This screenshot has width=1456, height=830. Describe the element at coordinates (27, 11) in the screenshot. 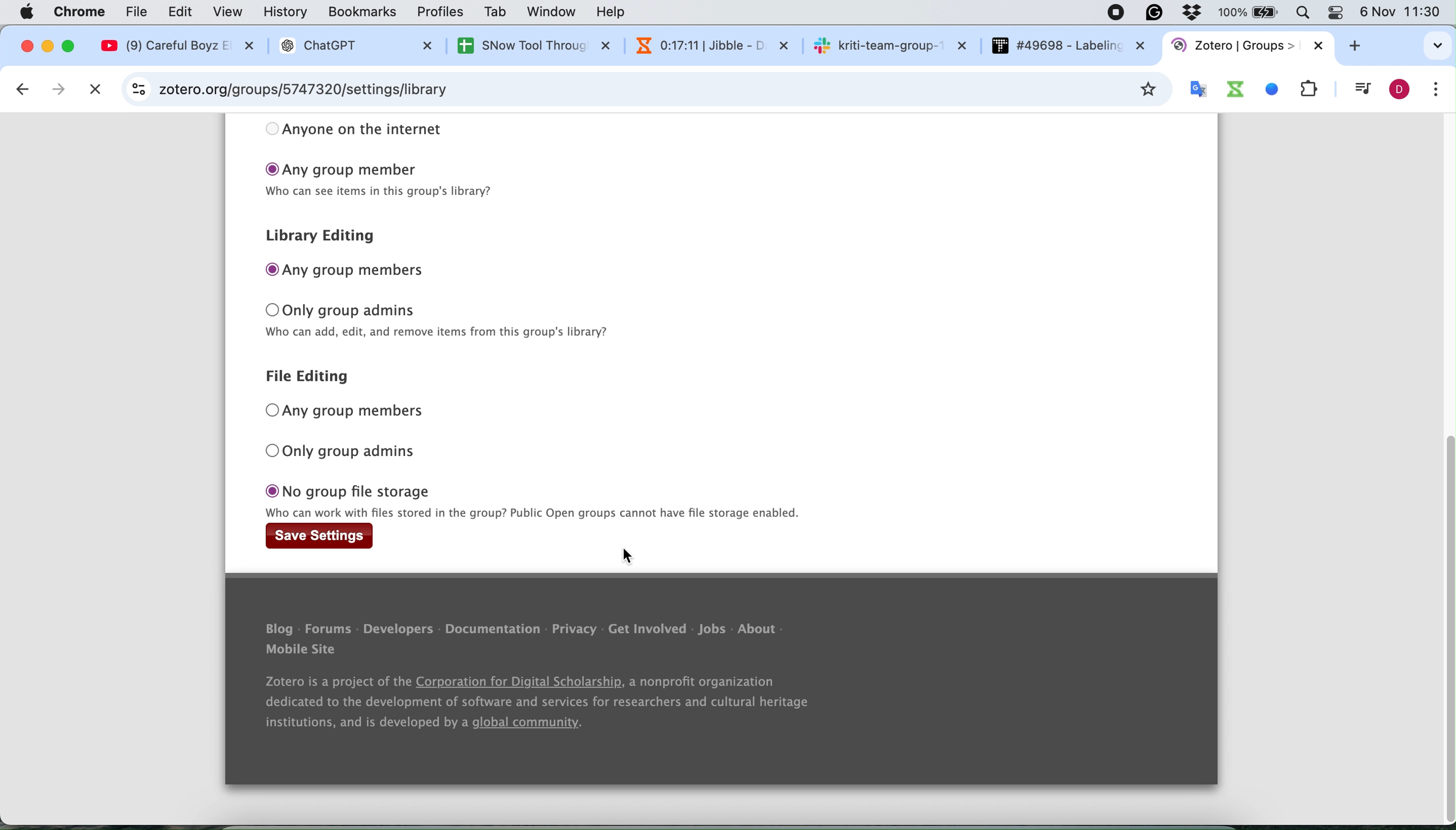

I see `Apple logo` at that location.